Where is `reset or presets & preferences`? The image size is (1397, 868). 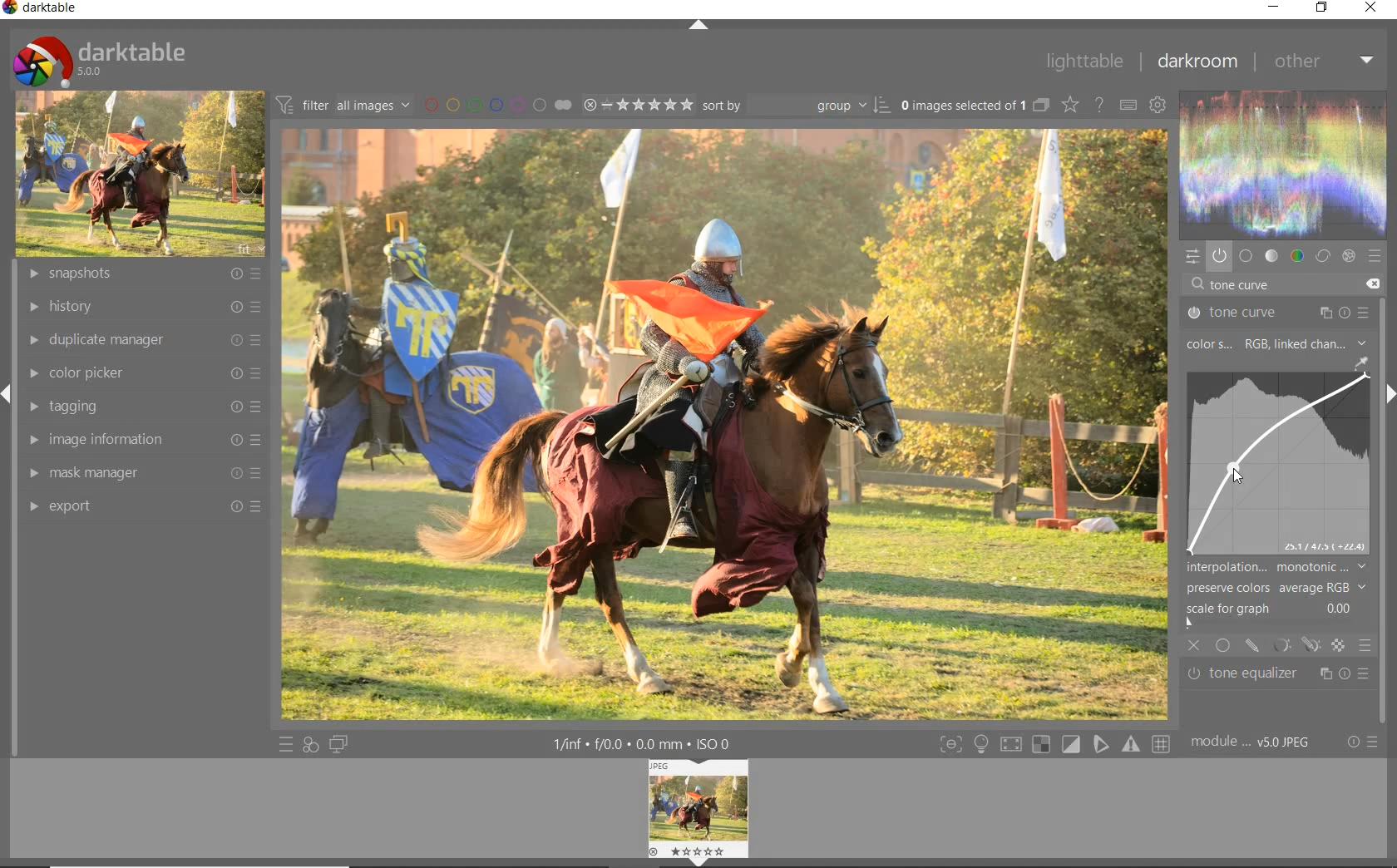
reset or presets & preferences is located at coordinates (1362, 743).